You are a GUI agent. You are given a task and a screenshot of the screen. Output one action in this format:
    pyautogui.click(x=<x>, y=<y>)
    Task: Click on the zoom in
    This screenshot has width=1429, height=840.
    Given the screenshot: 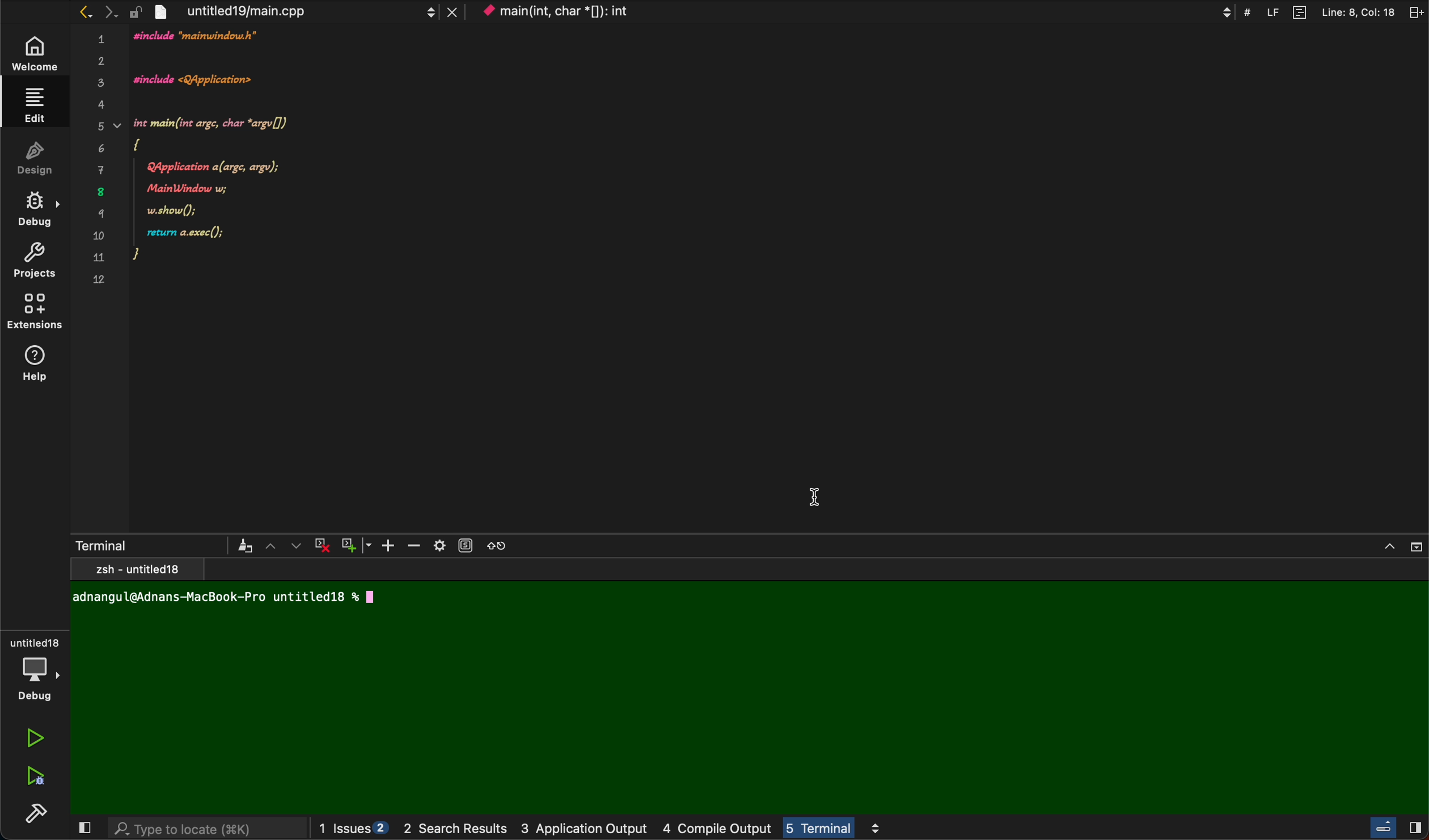 What is the action you would take?
    pyautogui.click(x=379, y=546)
    